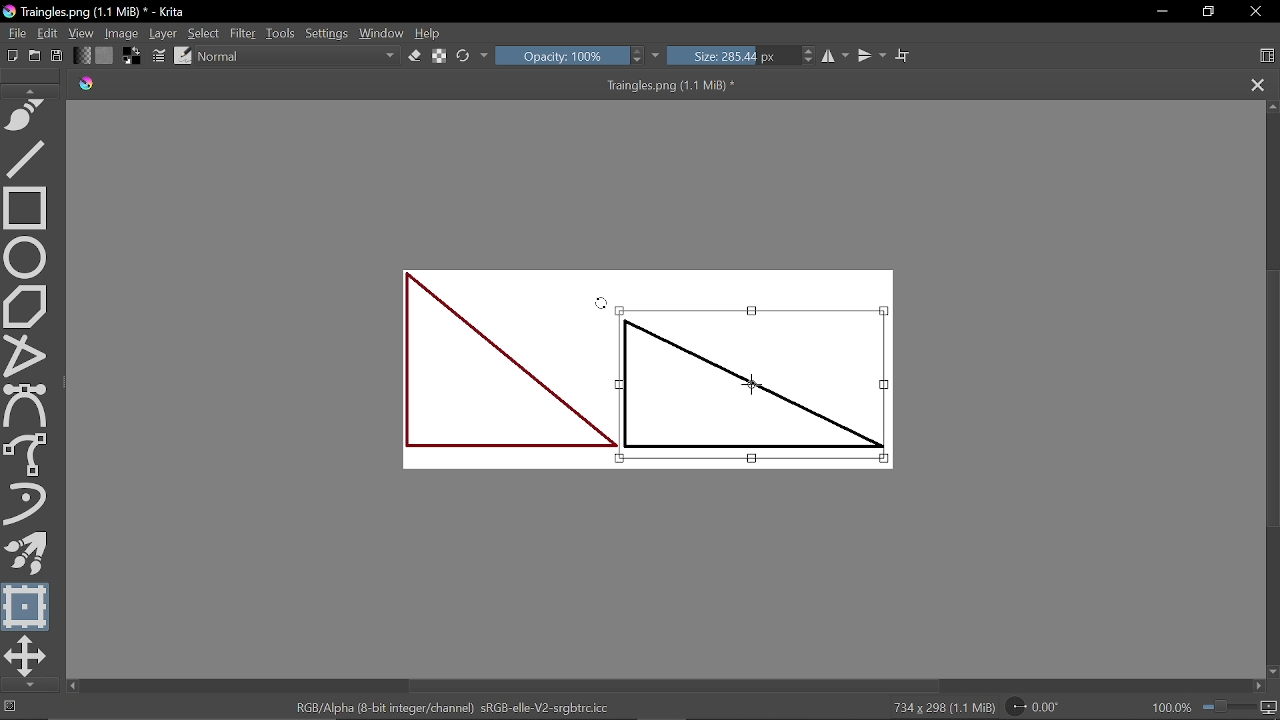  Describe the element at coordinates (28, 406) in the screenshot. I see `Bezier curve tool` at that location.